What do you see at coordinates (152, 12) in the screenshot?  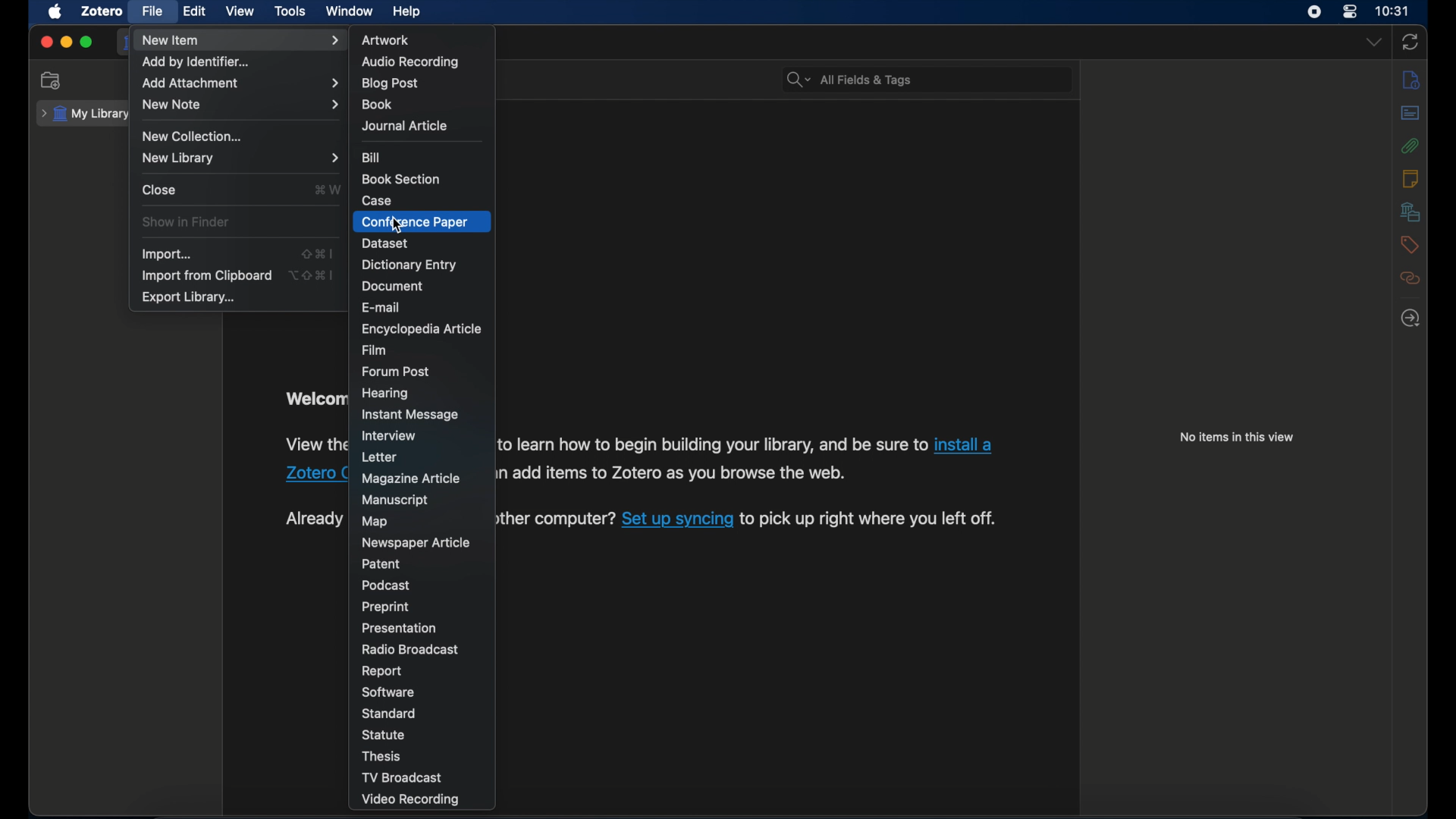 I see `file` at bounding box center [152, 12].